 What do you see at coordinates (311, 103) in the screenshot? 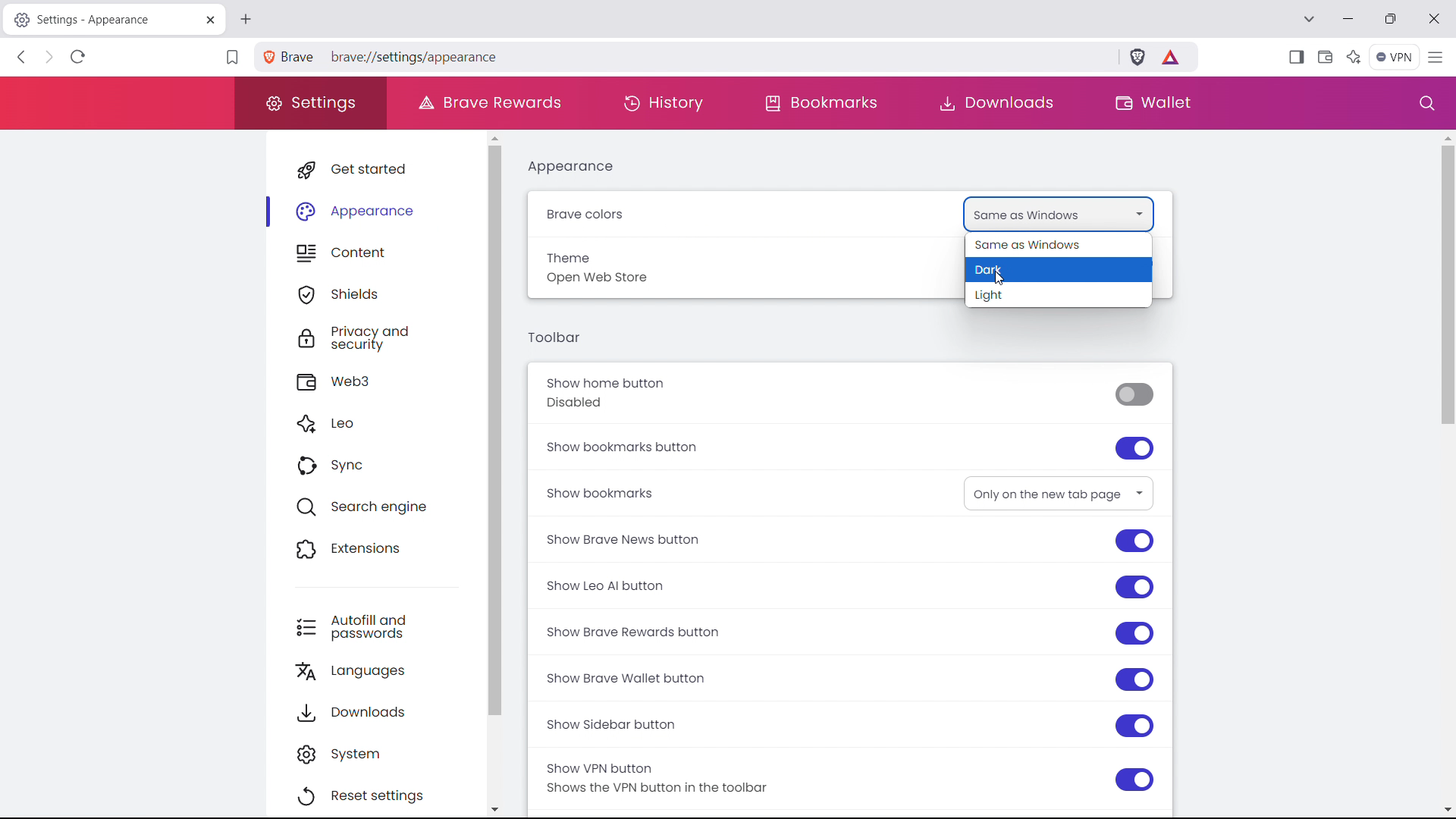
I see `settings` at bounding box center [311, 103].